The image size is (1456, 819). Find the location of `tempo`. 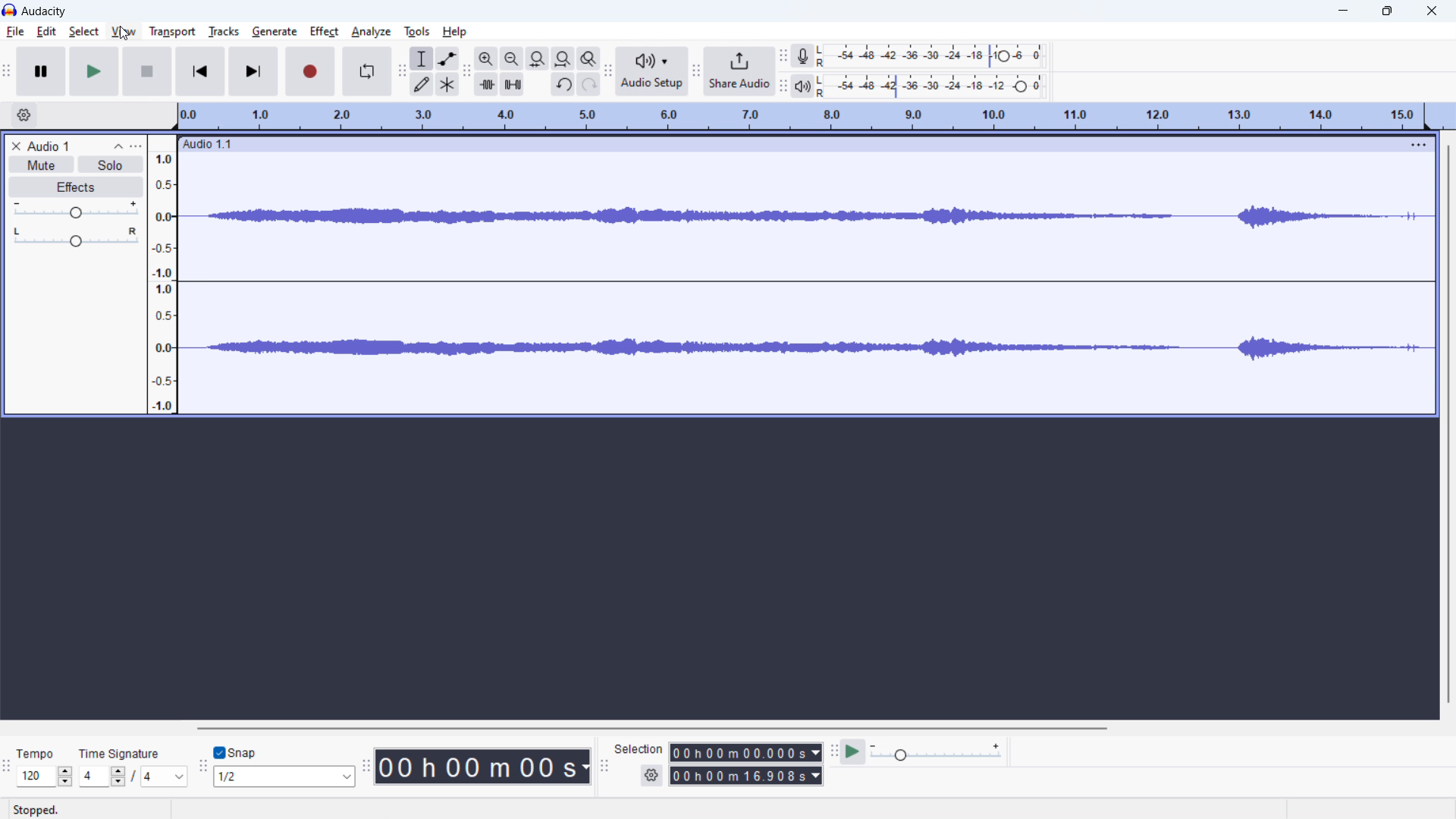

tempo is located at coordinates (39, 752).